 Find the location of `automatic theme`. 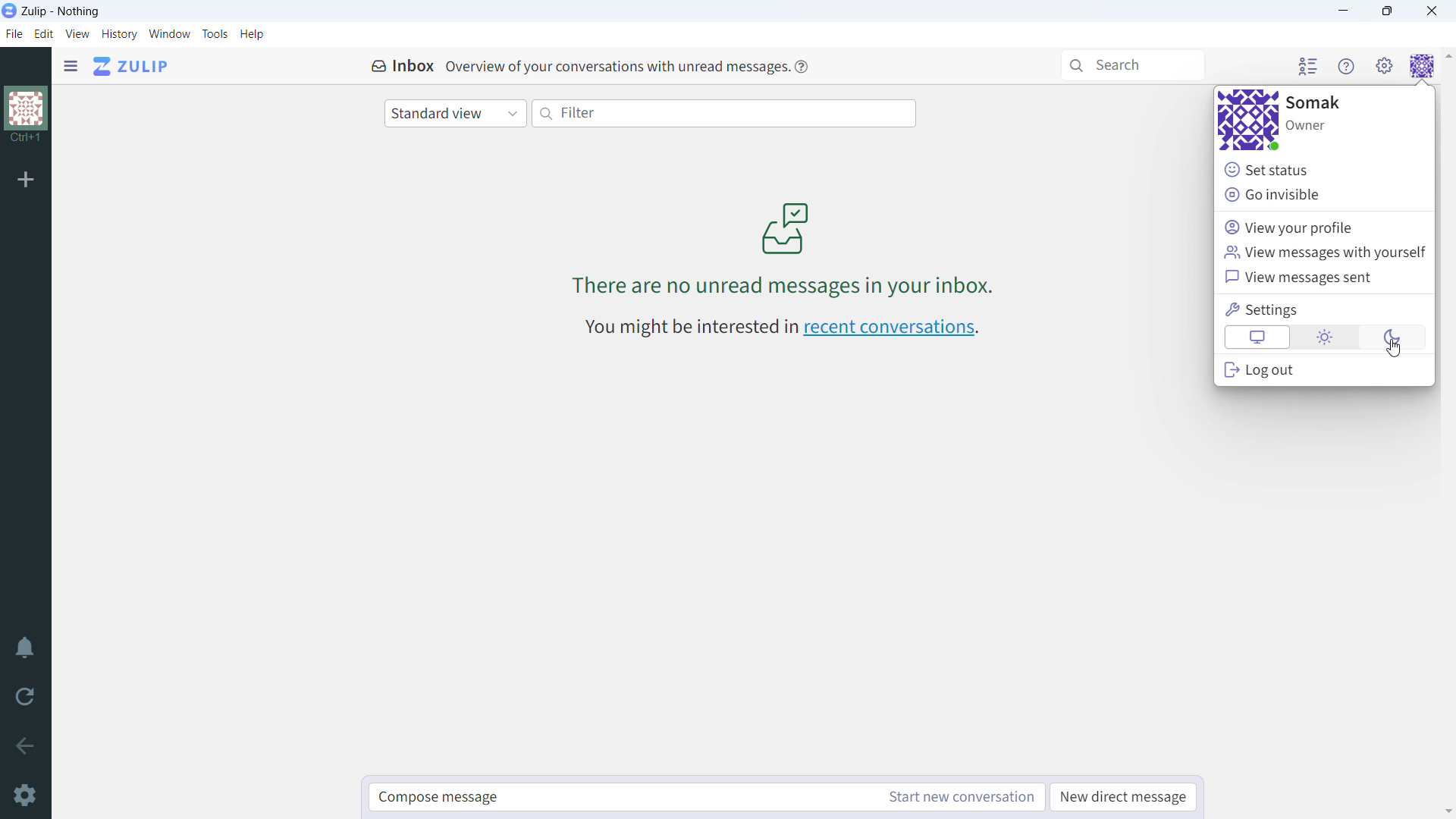

automatic theme is located at coordinates (1257, 337).